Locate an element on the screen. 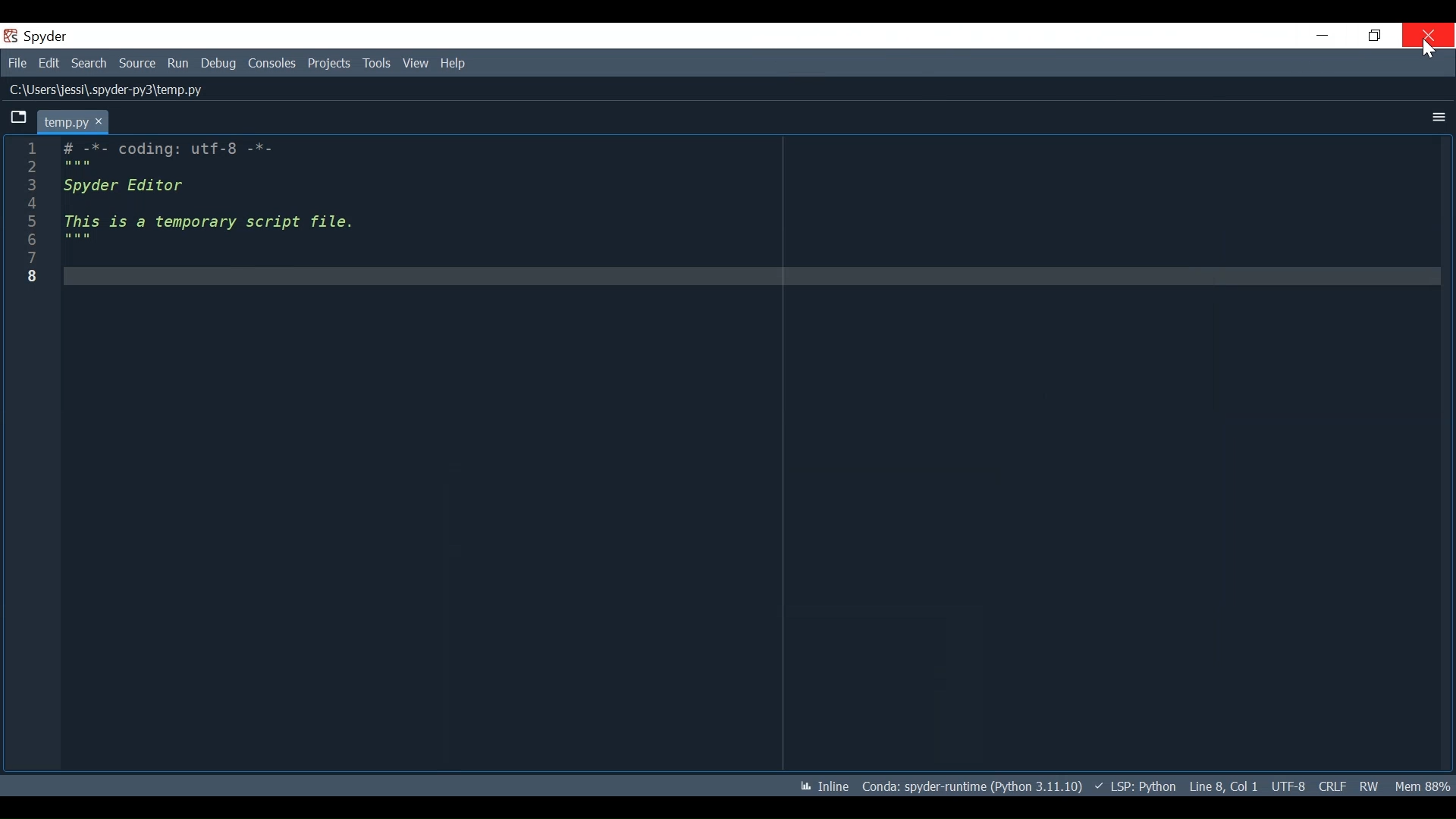 Image resolution: width=1456 pixels, height=819 pixels. Current tab is located at coordinates (74, 120).